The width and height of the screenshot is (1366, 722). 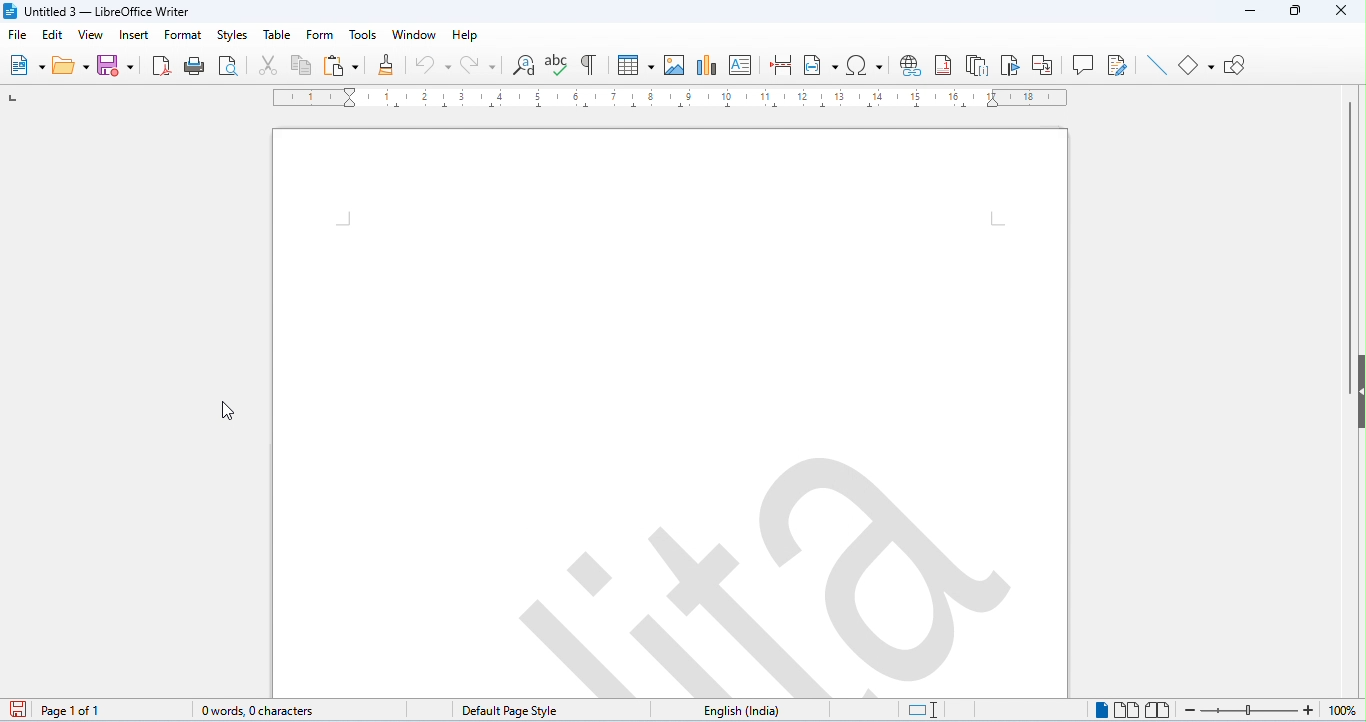 What do you see at coordinates (677, 65) in the screenshot?
I see `insert image` at bounding box center [677, 65].